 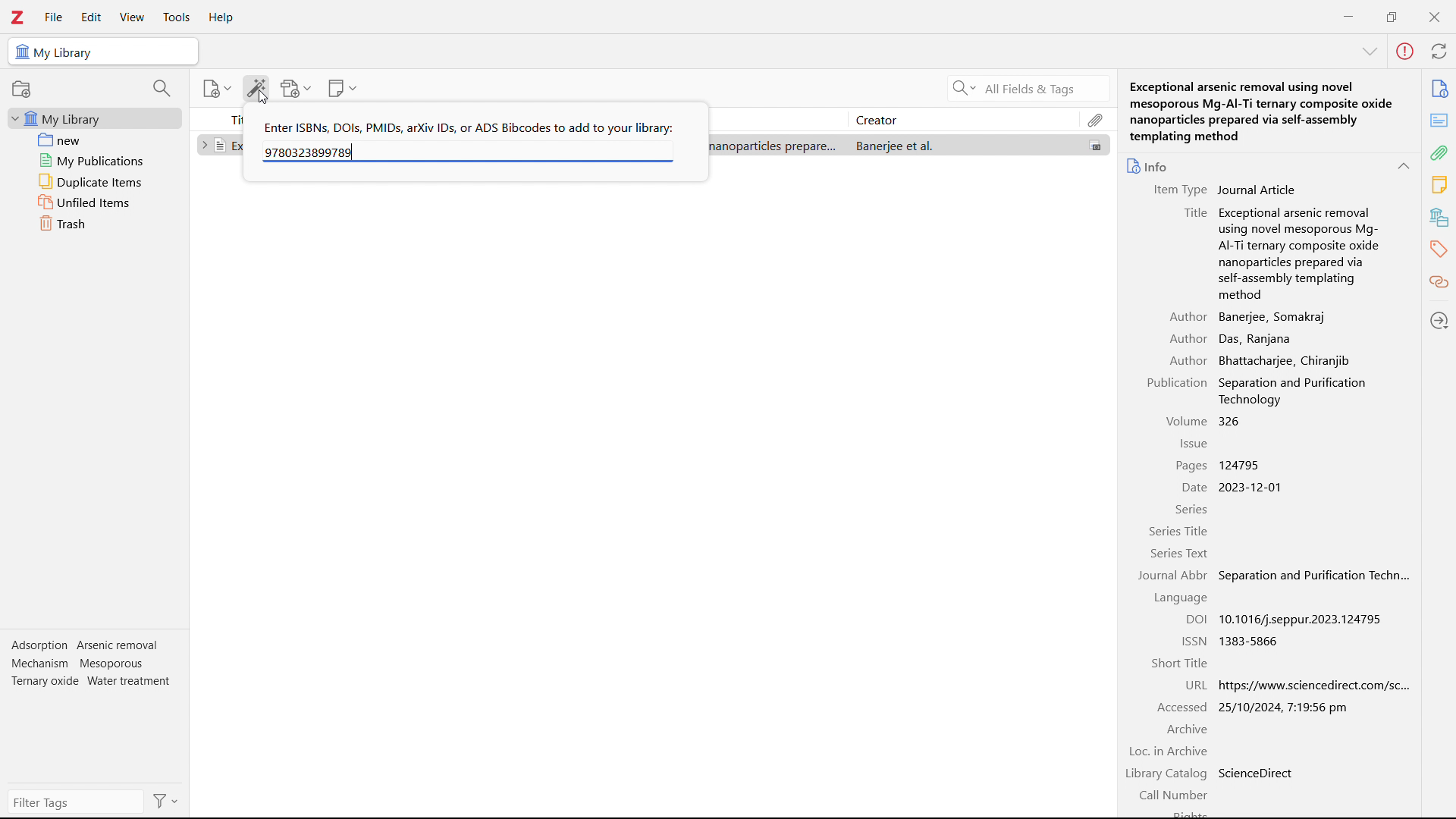 I want to click on Science direct, so click(x=1259, y=773).